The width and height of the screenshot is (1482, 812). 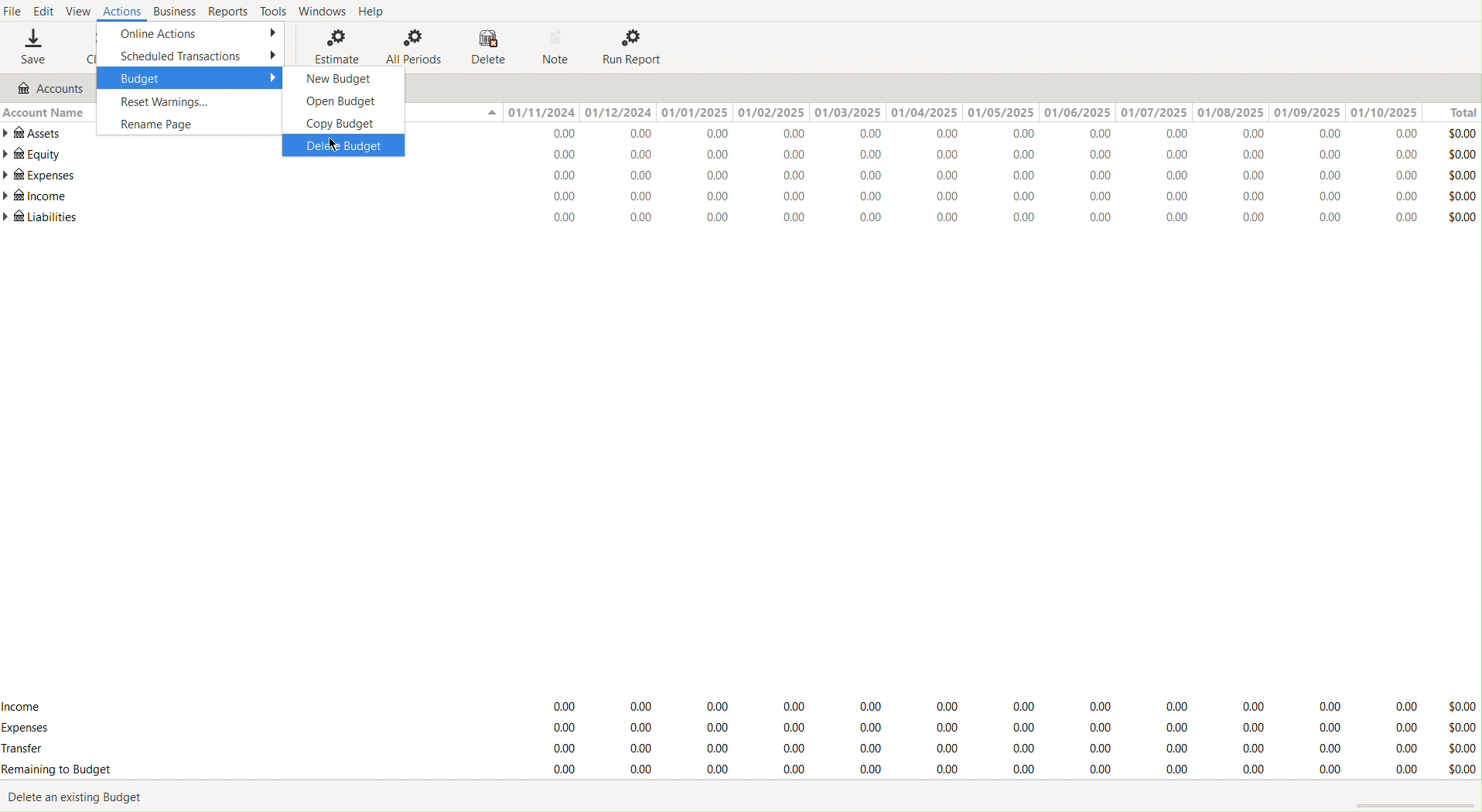 What do you see at coordinates (32, 750) in the screenshot?
I see `Transfer` at bounding box center [32, 750].